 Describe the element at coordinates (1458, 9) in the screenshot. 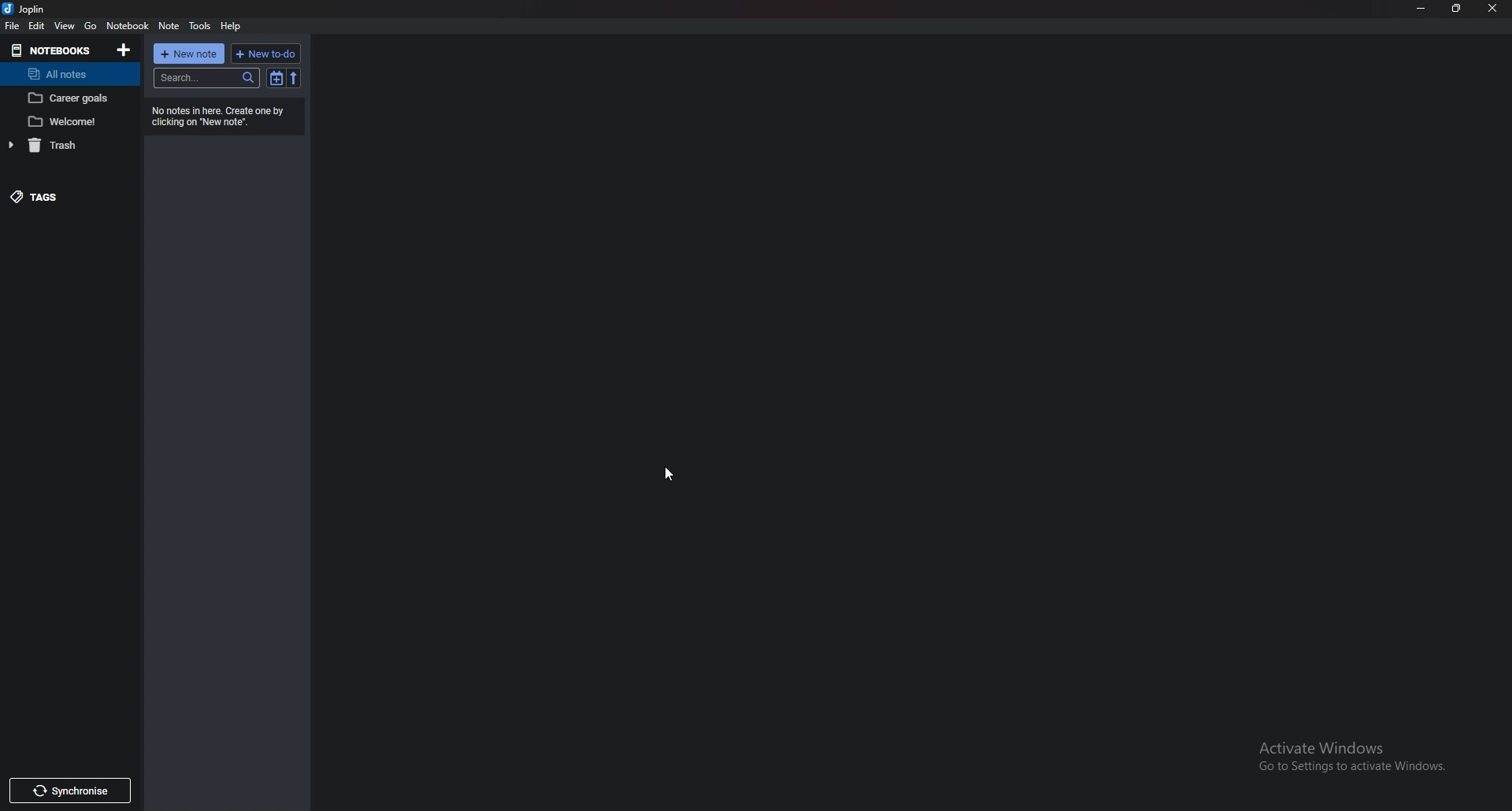

I see `resize` at that location.